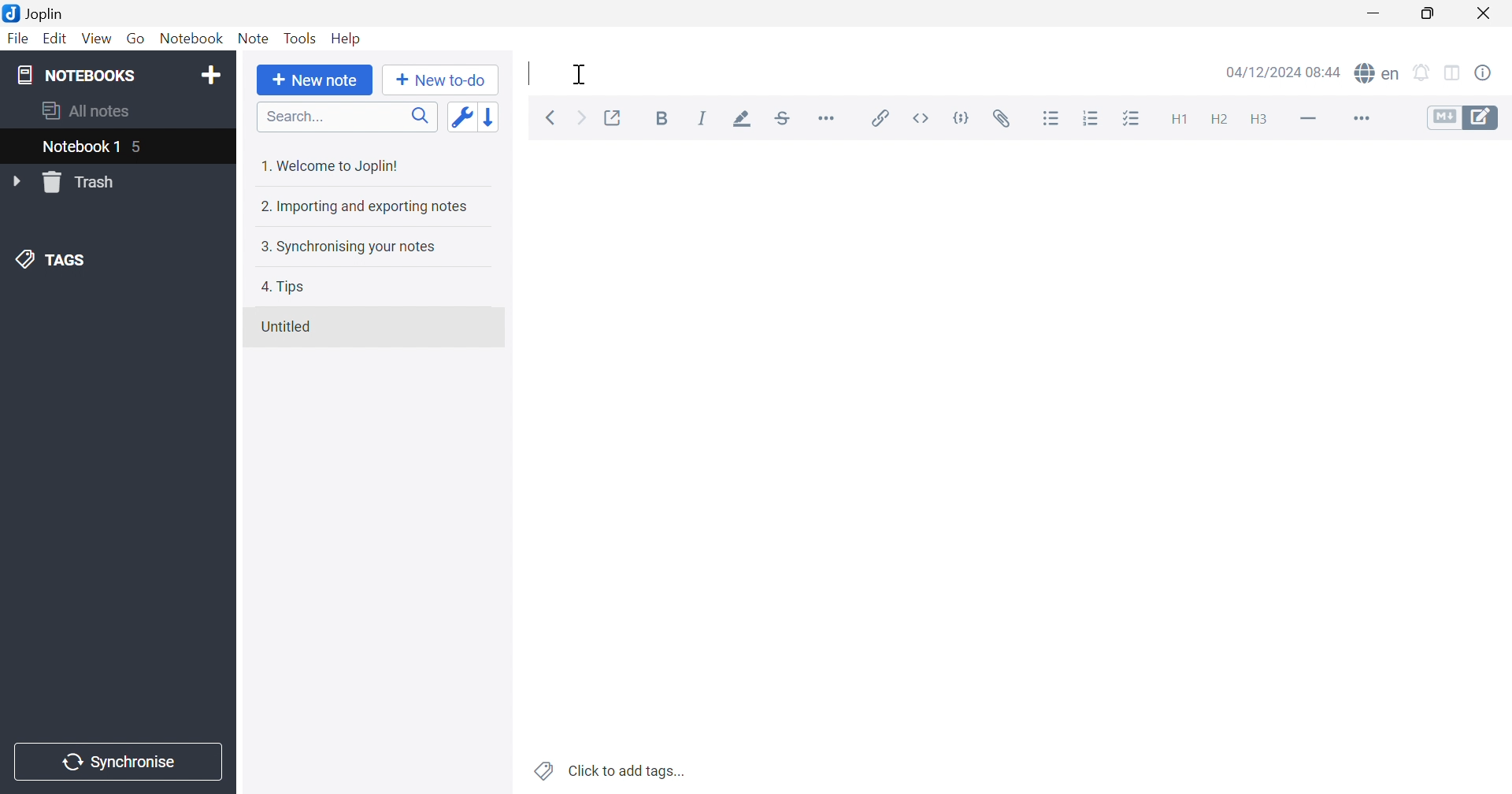  Describe the element at coordinates (18, 38) in the screenshot. I see `File` at that location.